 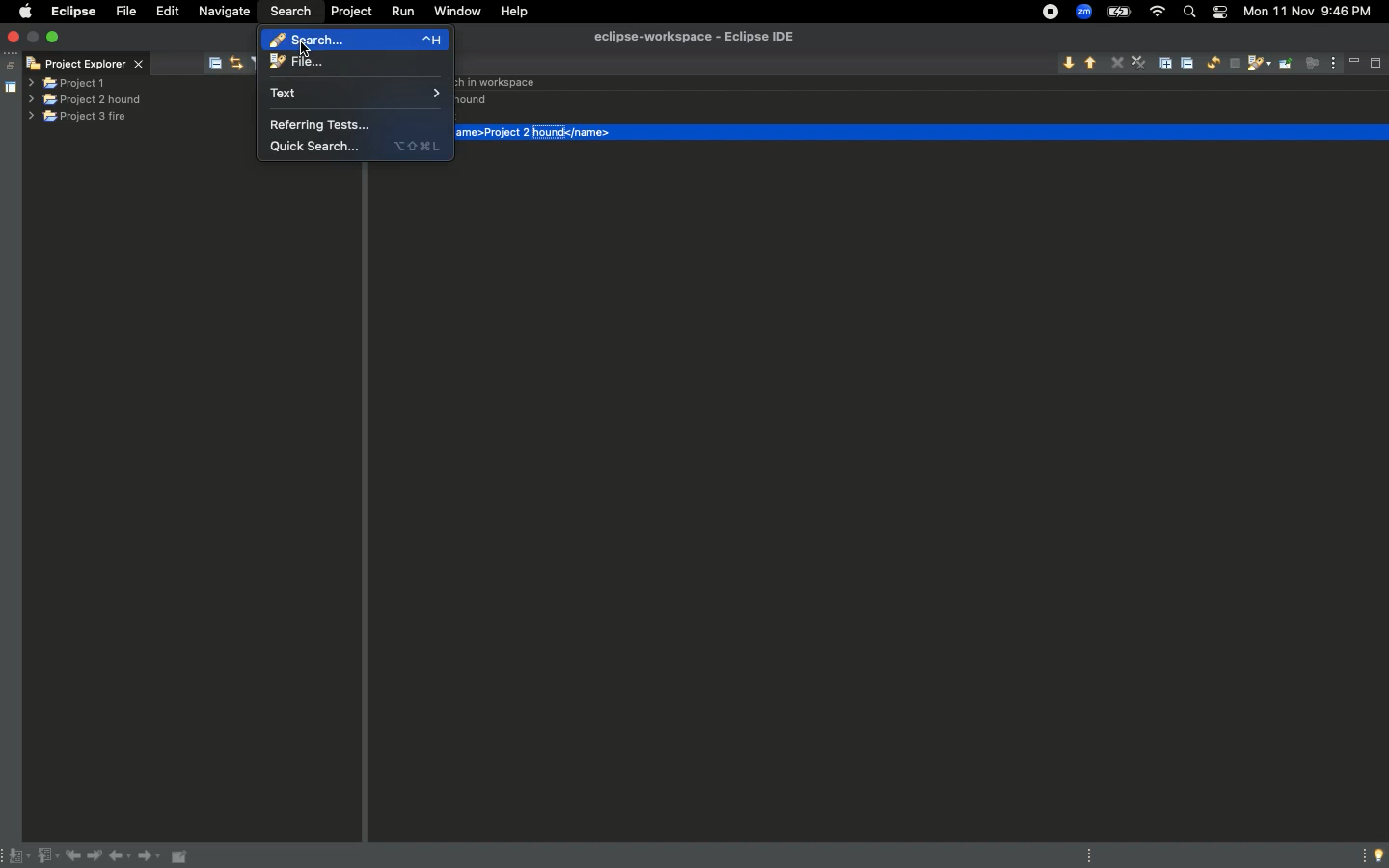 I want to click on Remove selected matches, so click(x=1118, y=62).